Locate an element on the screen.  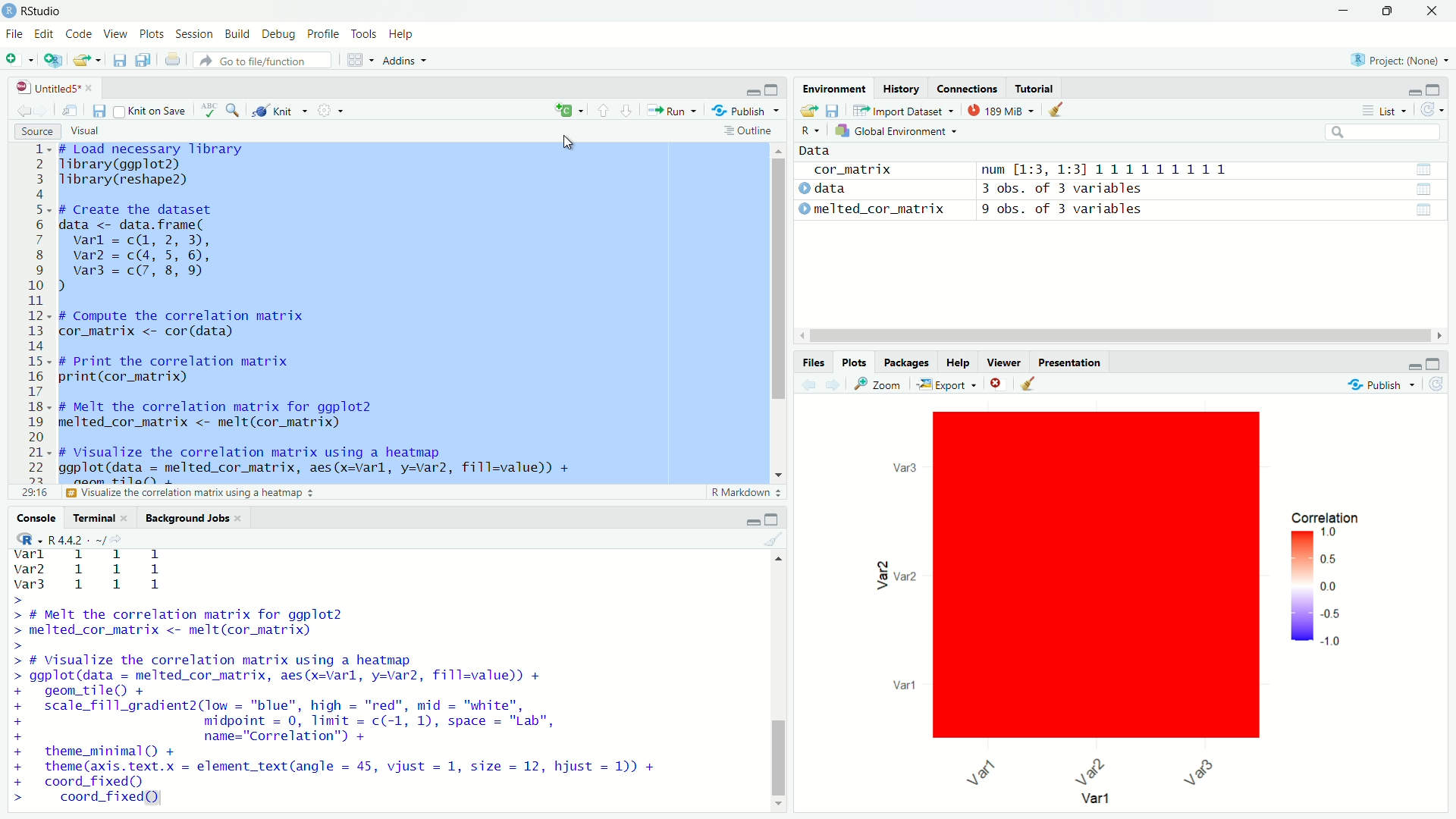
help is located at coordinates (959, 362).